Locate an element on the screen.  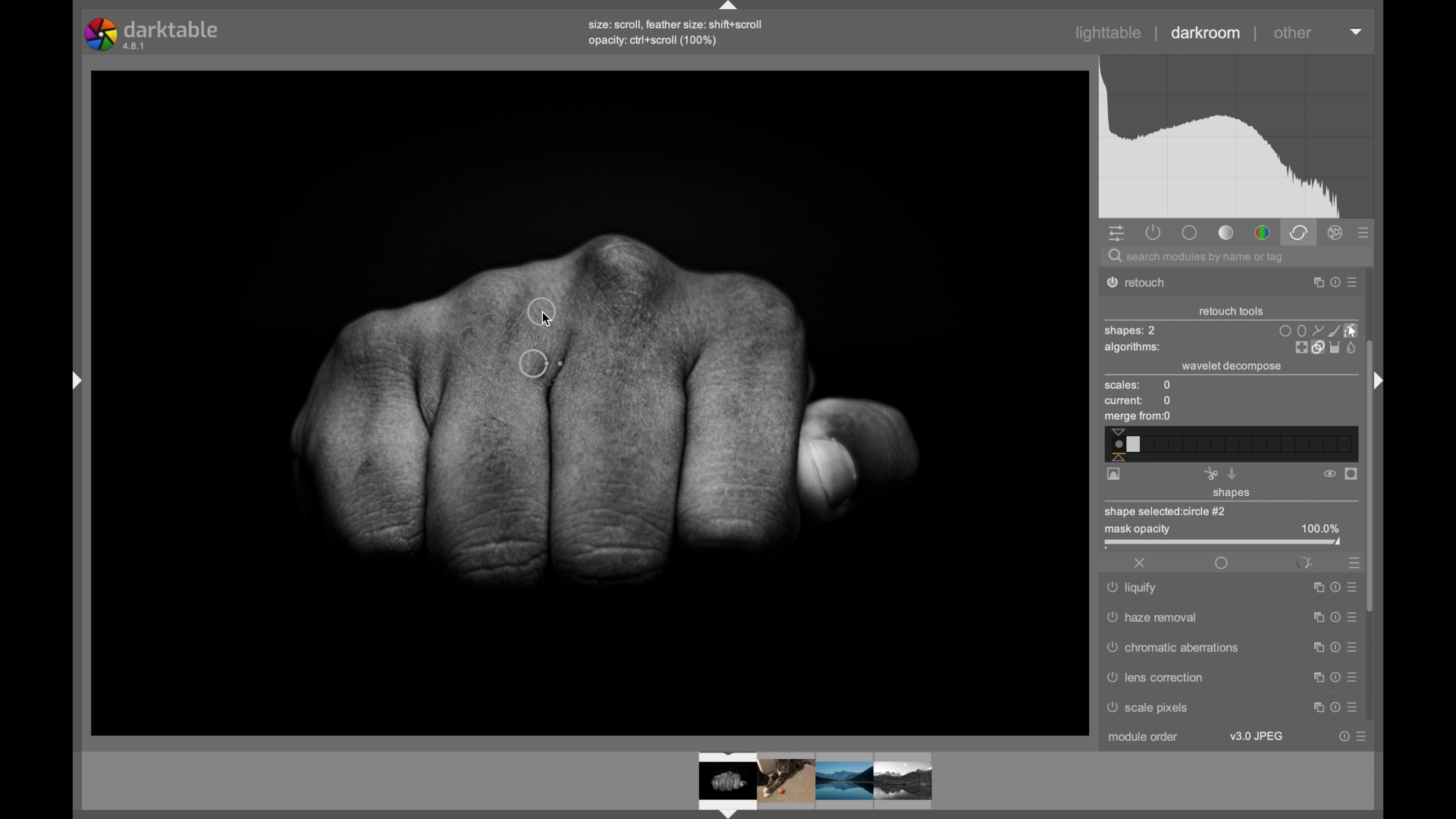
presets is located at coordinates (1364, 234).